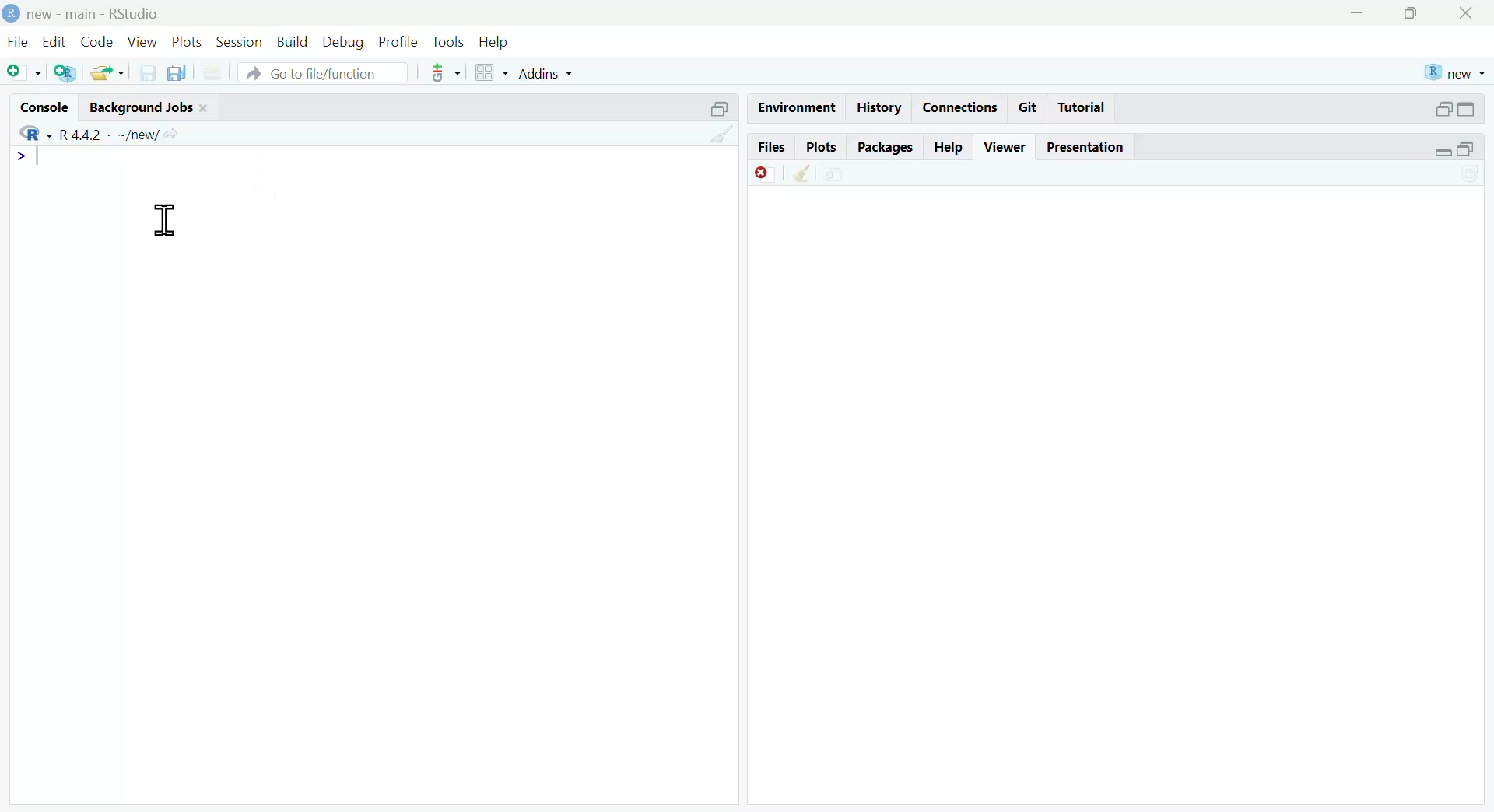 The height and width of the screenshot is (812, 1494). Describe the element at coordinates (886, 145) in the screenshot. I see `Packages` at that location.